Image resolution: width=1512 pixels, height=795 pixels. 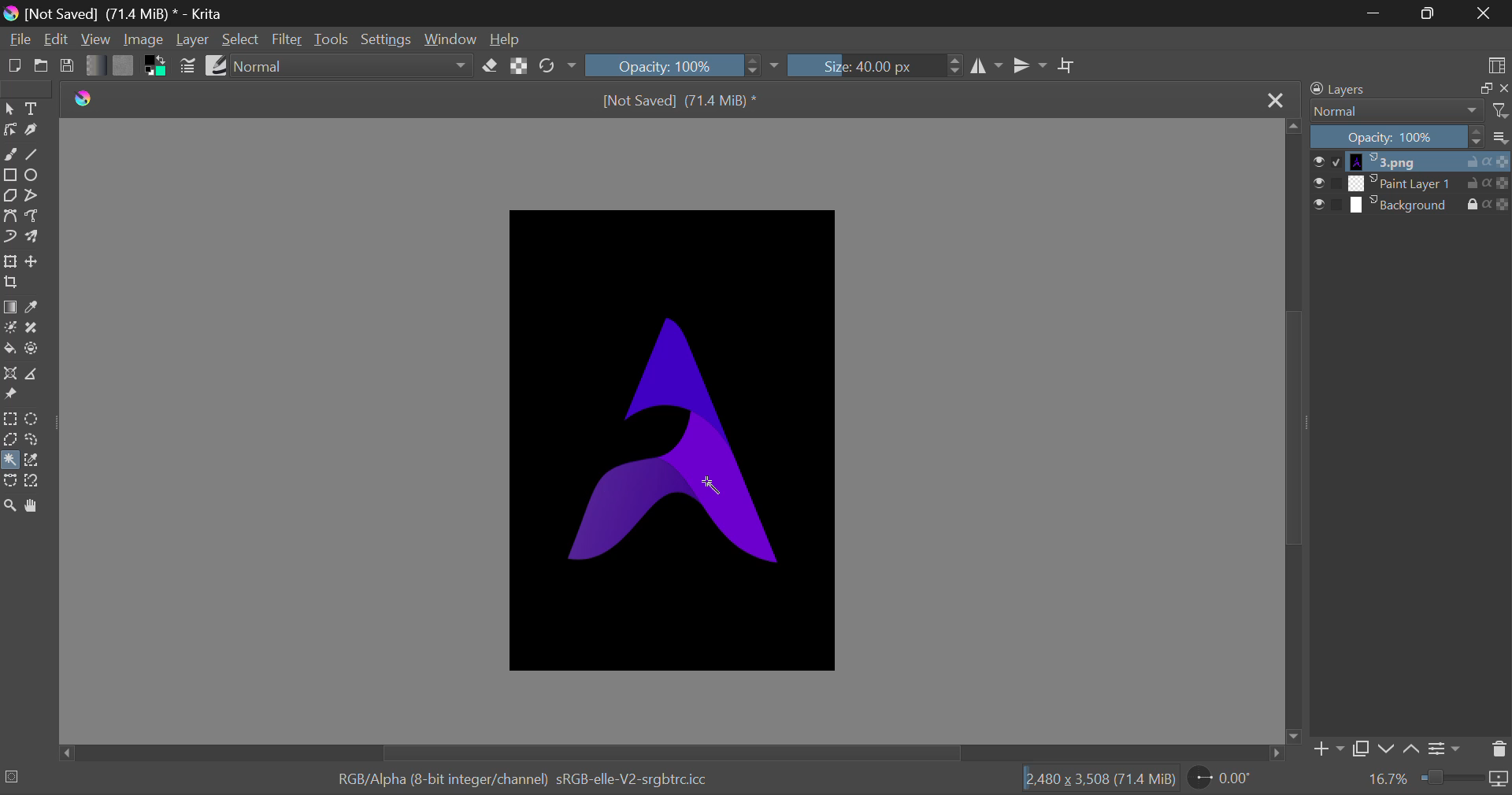 What do you see at coordinates (30, 441) in the screenshot?
I see `Freehand Tool` at bounding box center [30, 441].